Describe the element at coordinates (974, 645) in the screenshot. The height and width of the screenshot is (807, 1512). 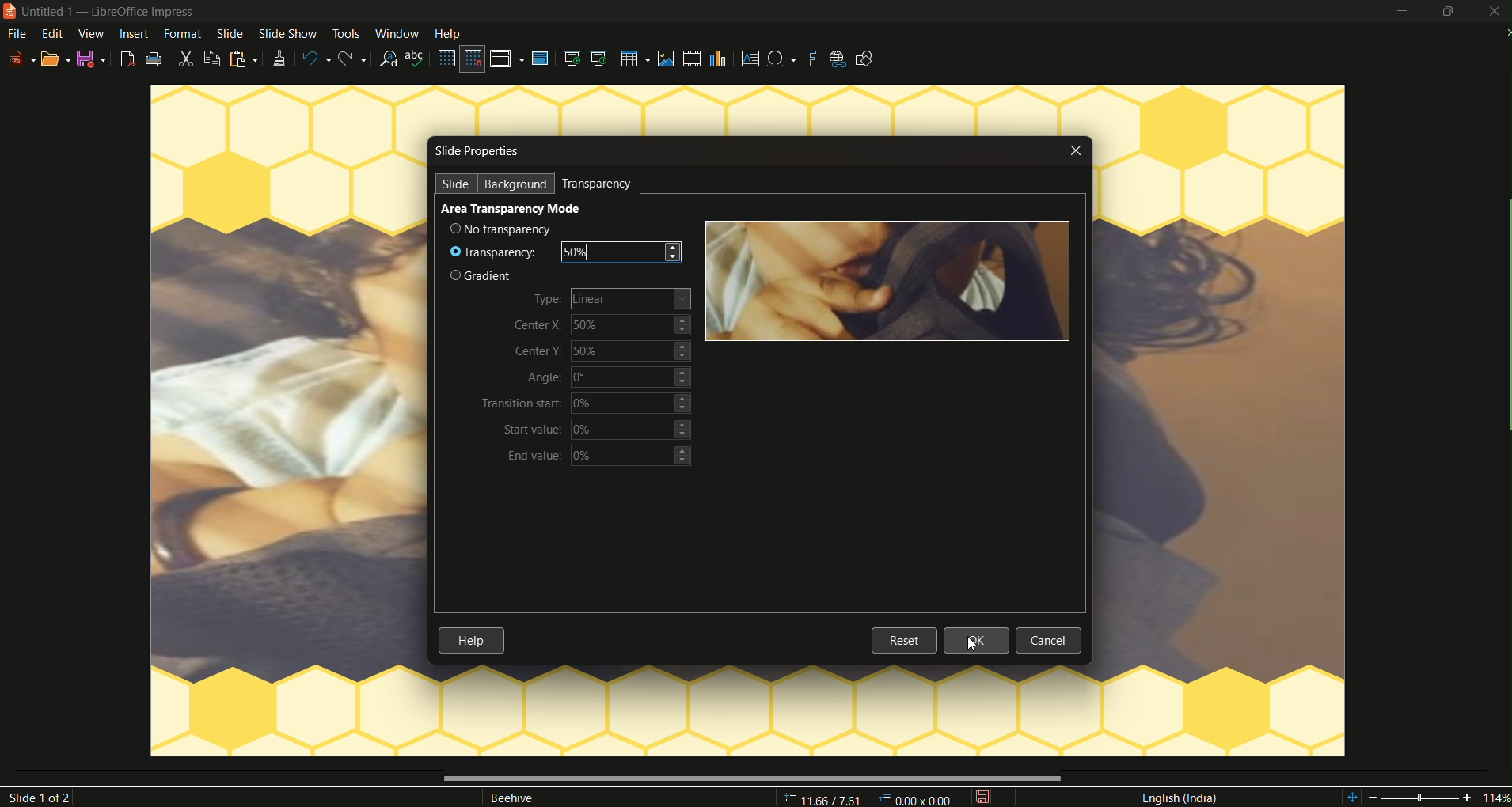
I see `cursor` at that location.